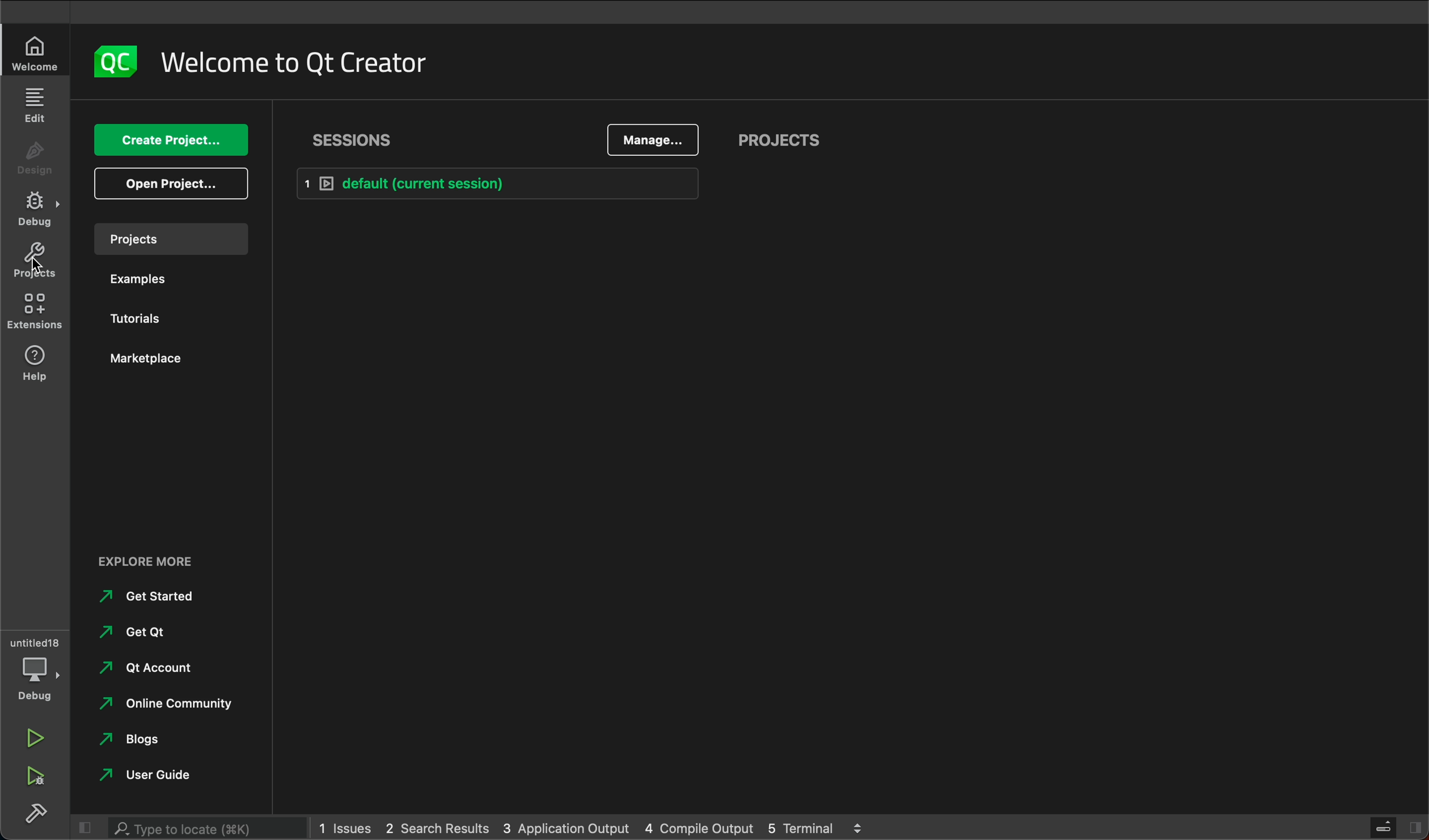  Describe the element at coordinates (33, 778) in the screenshot. I see `run debug` at that location.